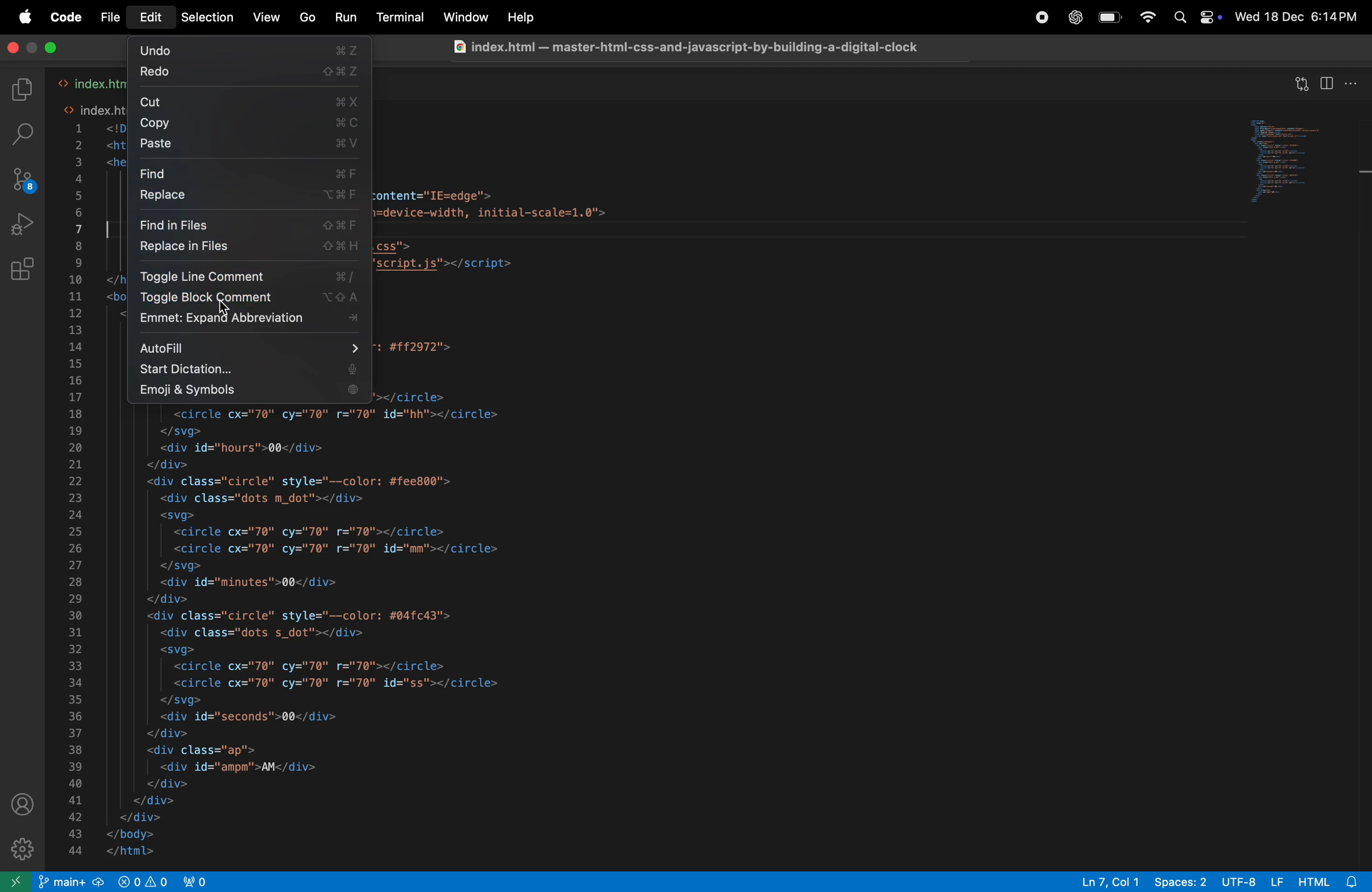  Describe the element at coordinates (520, 18) in the screenshot. I see `help` at that location.